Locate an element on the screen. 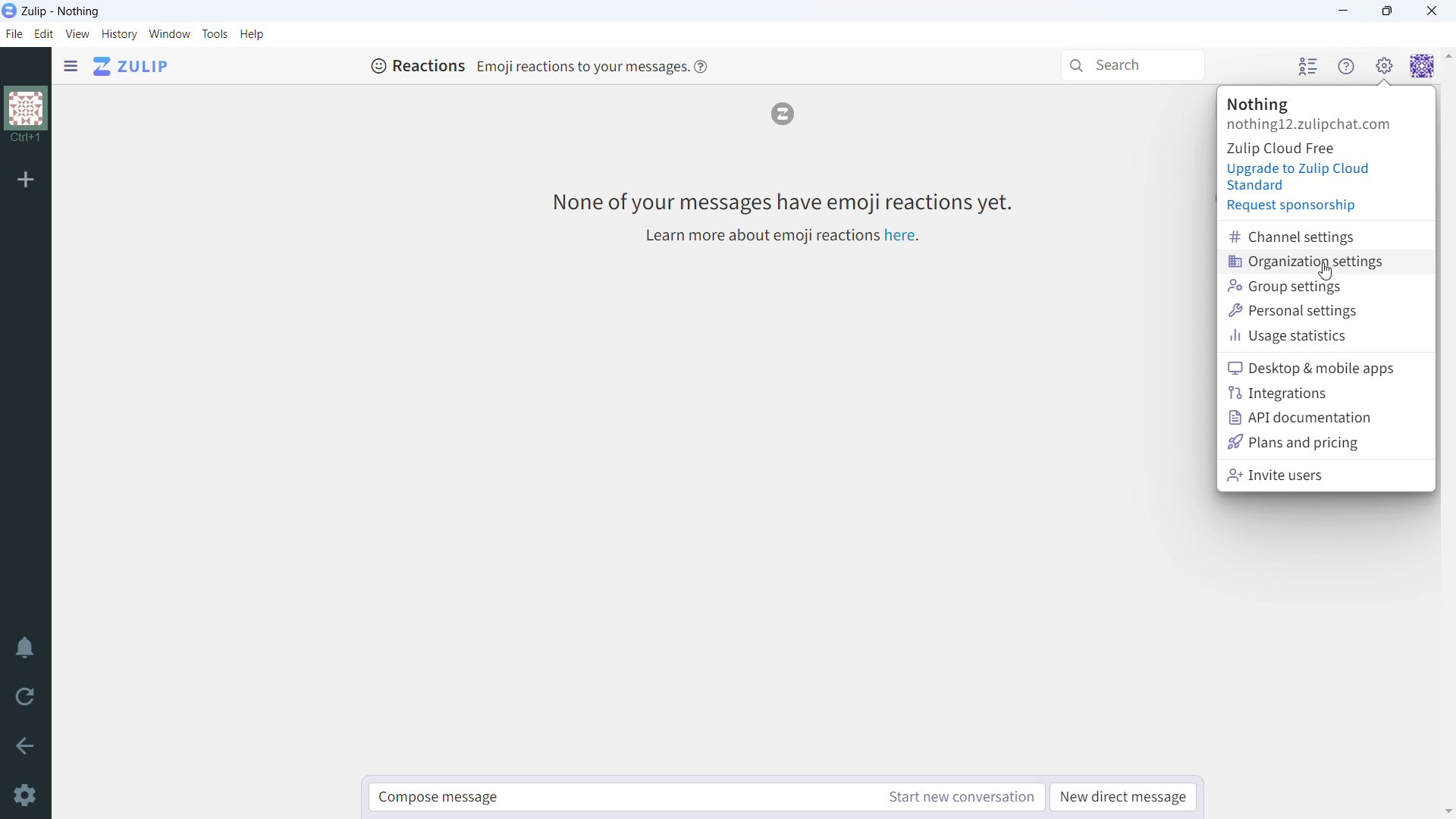  search is located at coordinates (1131, 65).